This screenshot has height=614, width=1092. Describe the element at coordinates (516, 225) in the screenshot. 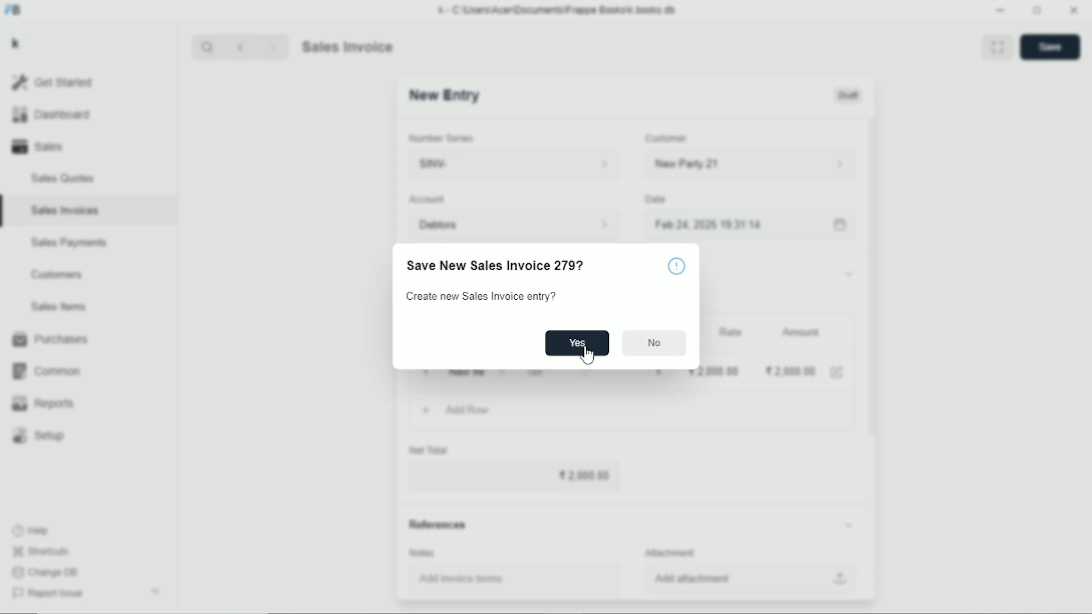

I see `Debtors` at that location.